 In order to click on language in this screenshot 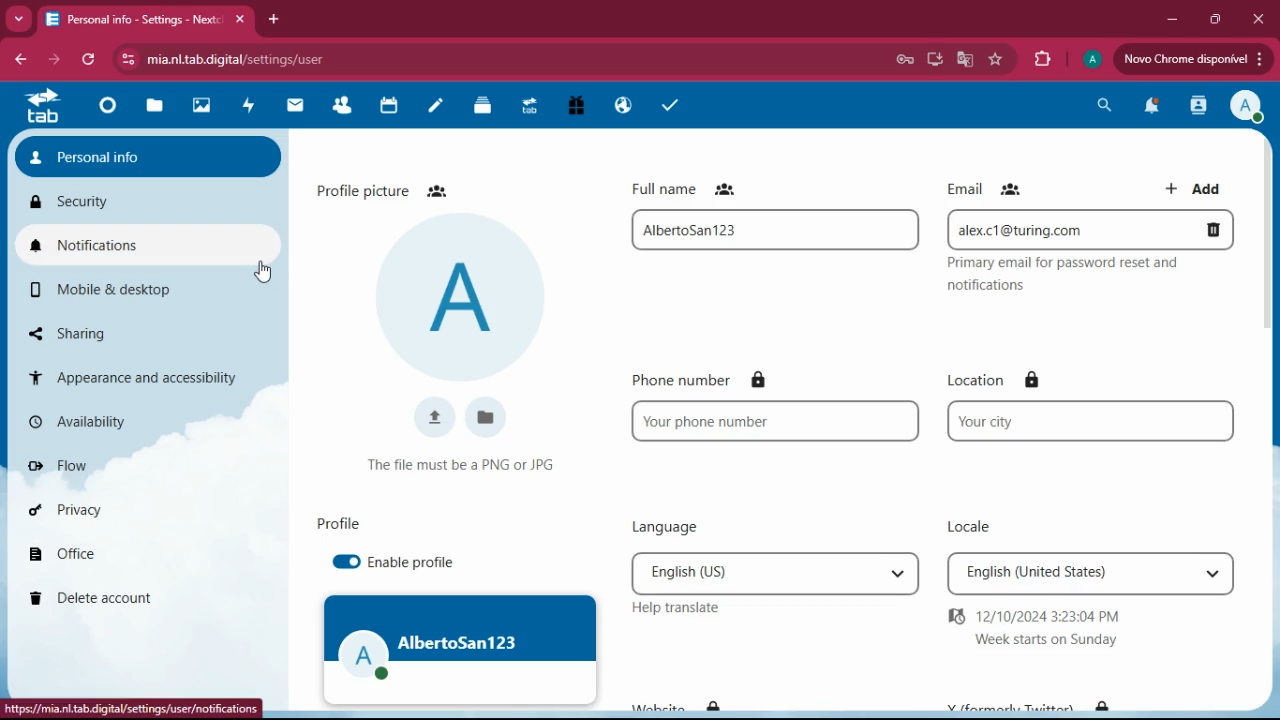, I will do `click(657, 527)`.